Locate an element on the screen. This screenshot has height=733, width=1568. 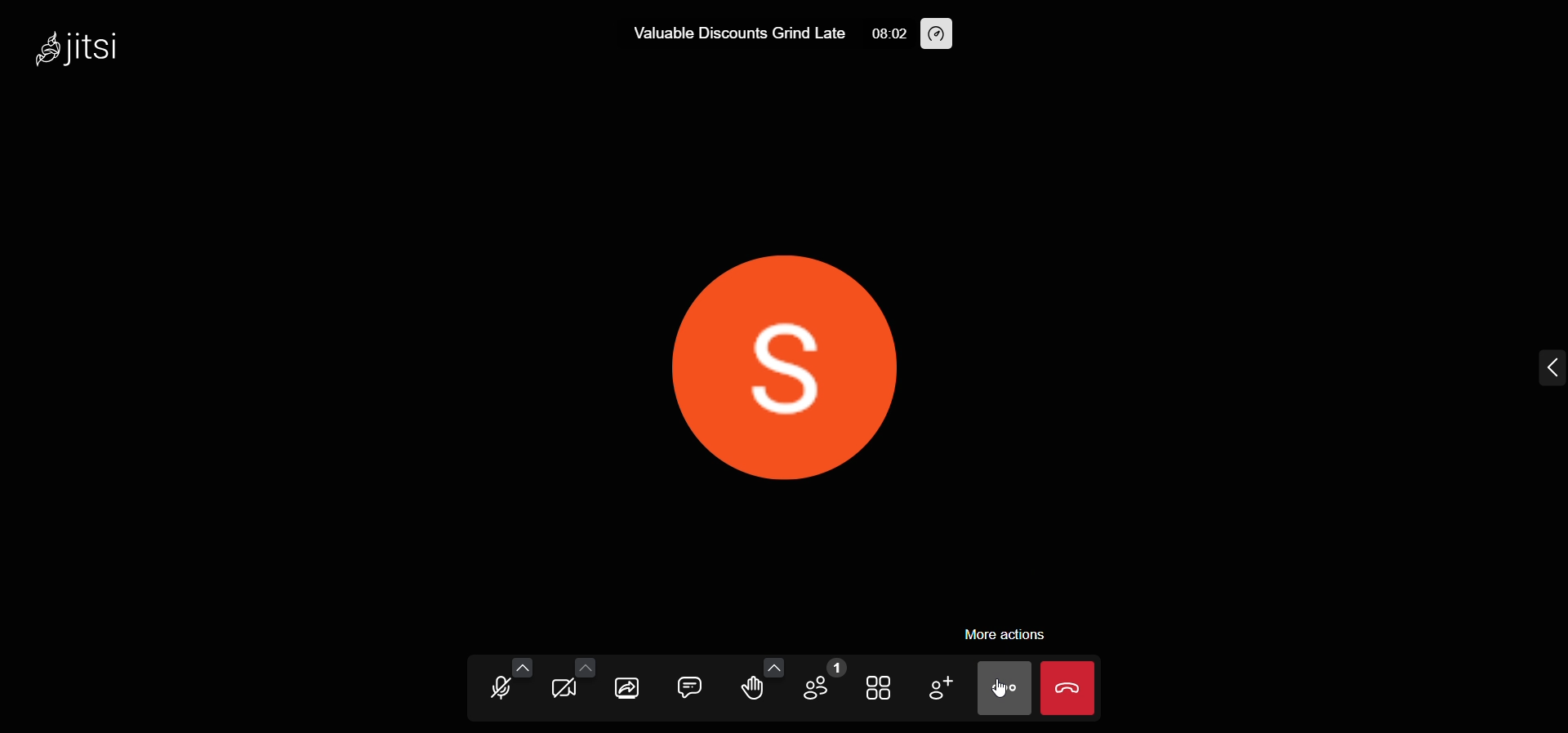
video is located at coordinates (563, 688).